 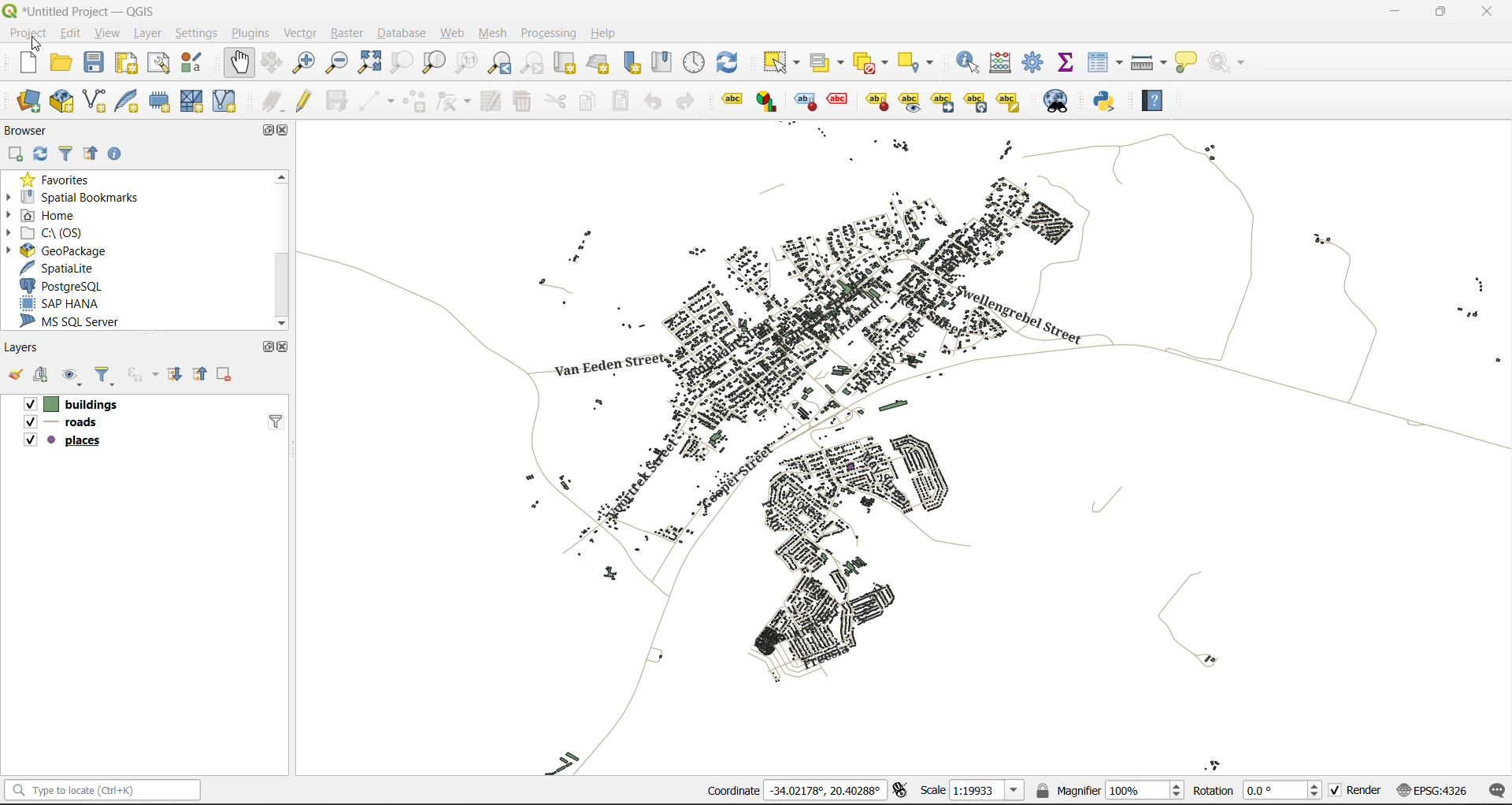 What do you see at coordinates (1066, 64) in the screenshot?
I see `statistical summary` at bounding box center [1066, 64].